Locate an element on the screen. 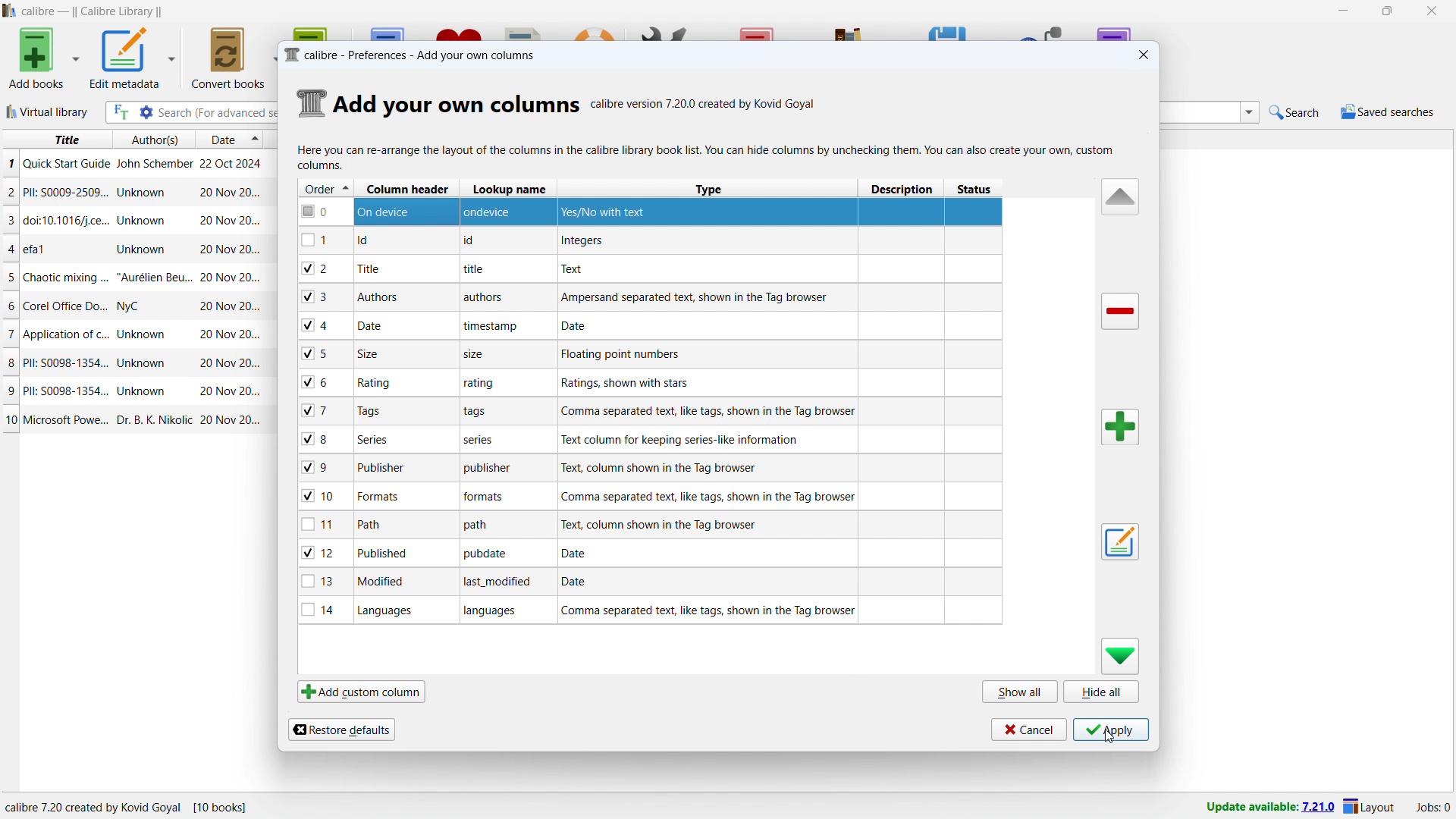  enter search string is located at coordinates (215, 113).